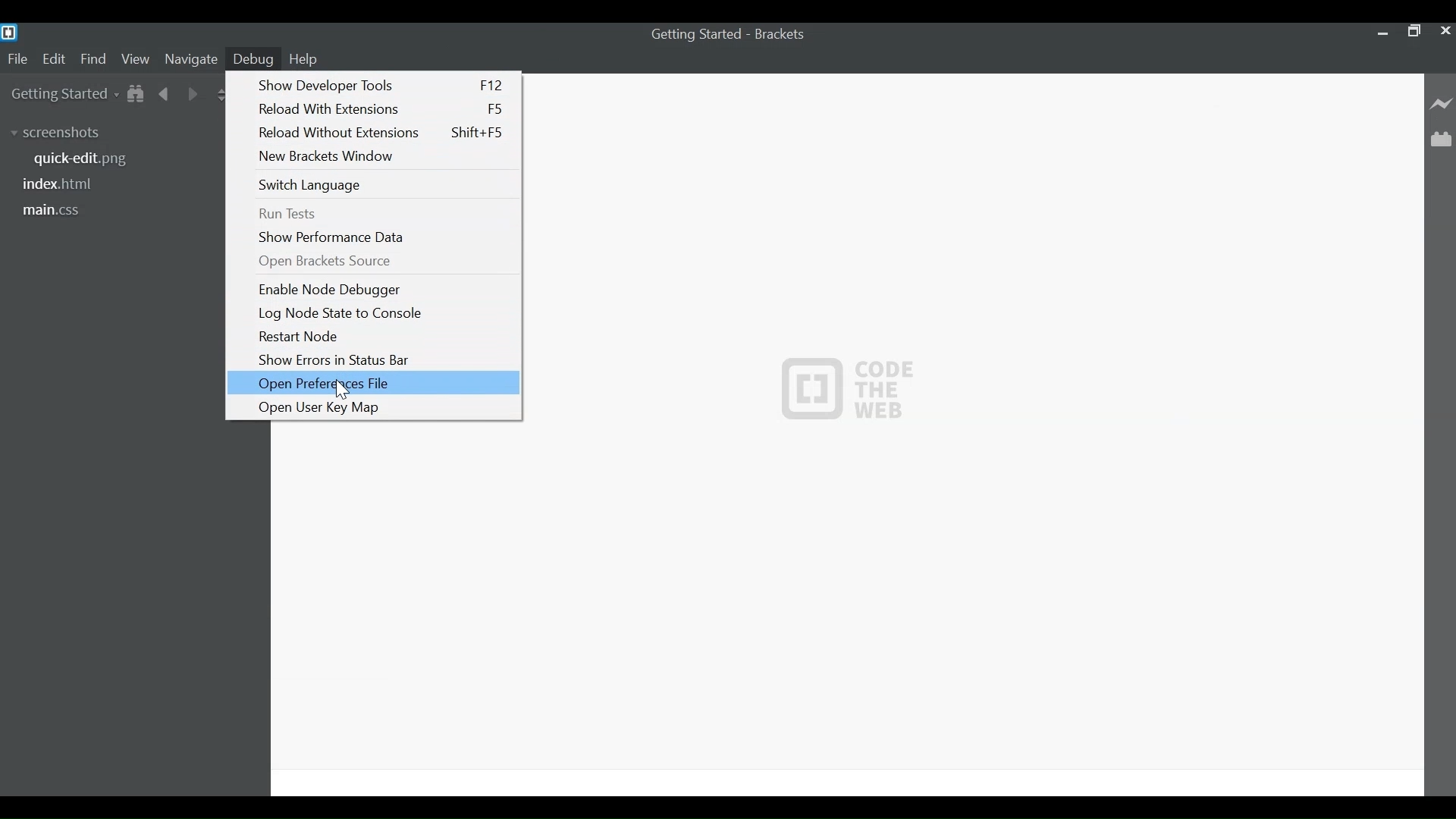 This screenshot has width=1456, height=819. What do you see at coordinates (64, 134) in the screenshot?
I see `screenshot` at bounding box center [64, 134].